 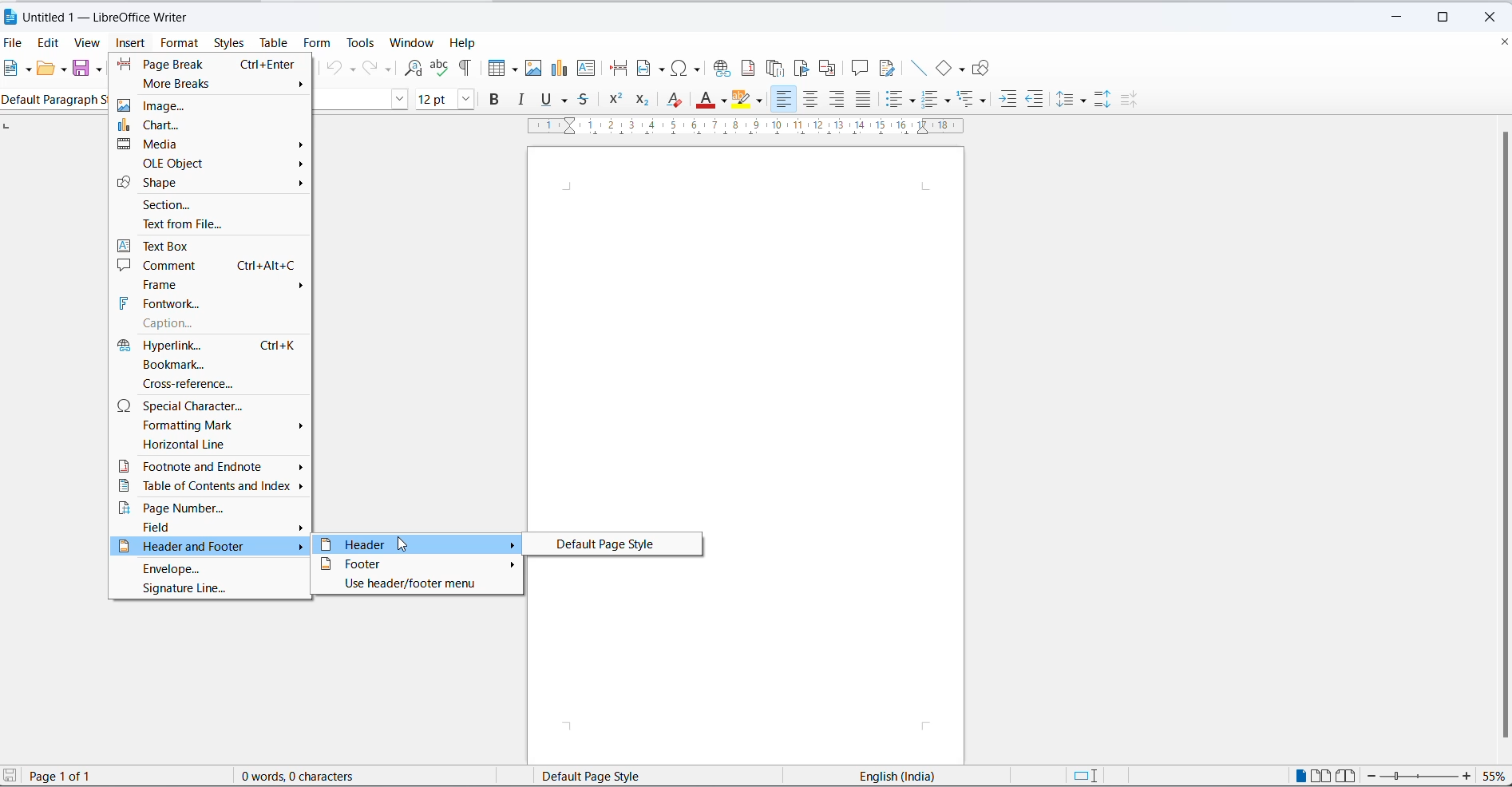 What do you see at coordinates (212, 405) in the screenshot?
I see `special character` at bounding box center [212, 405].